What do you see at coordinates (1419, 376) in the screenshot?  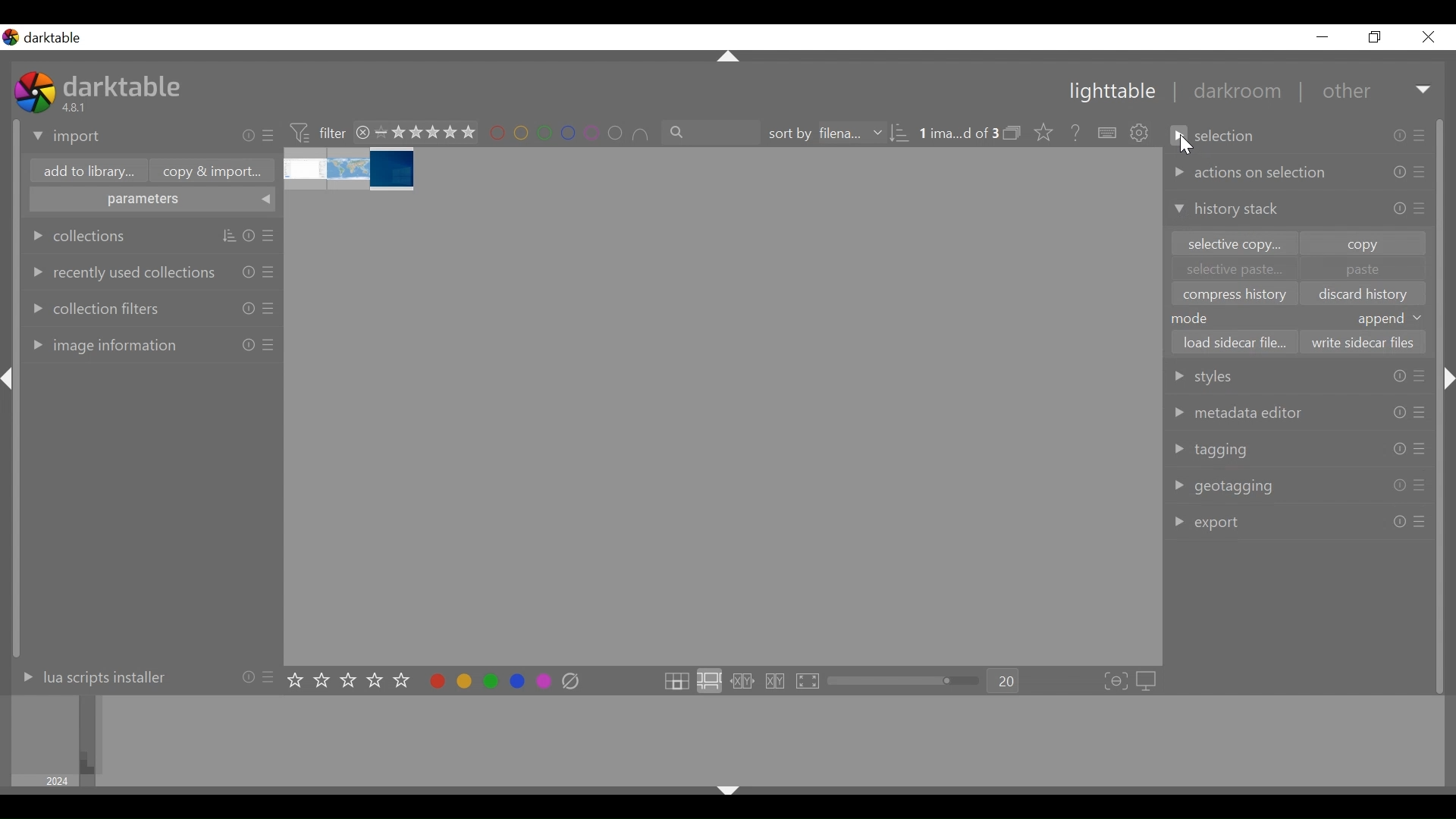 I see `presets` at bounding box center [1419, 376].